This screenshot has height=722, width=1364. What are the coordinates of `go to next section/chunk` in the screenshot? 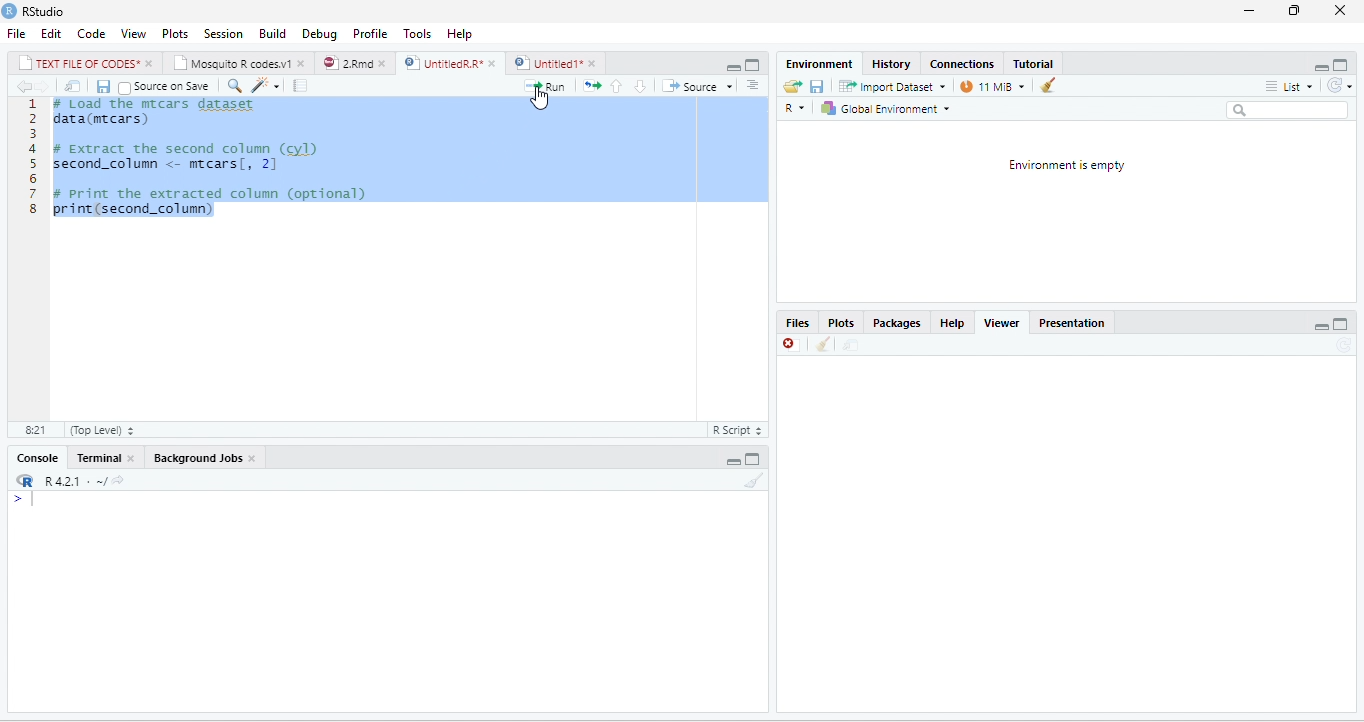 It's located at (639, 85).